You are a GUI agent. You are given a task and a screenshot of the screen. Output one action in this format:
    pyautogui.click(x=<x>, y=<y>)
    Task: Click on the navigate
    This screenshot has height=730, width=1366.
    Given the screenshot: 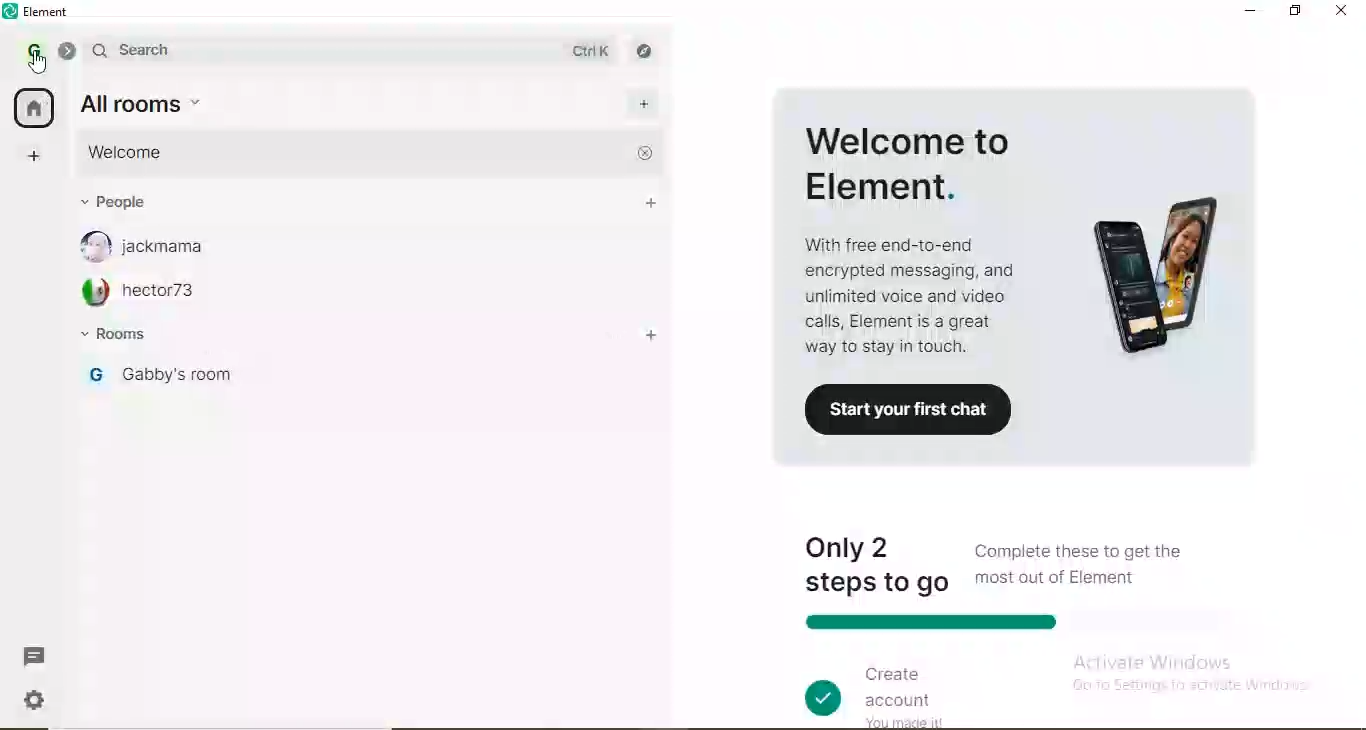 What is the action you would take?
    pyautogui.click(x=650, y=53)
    